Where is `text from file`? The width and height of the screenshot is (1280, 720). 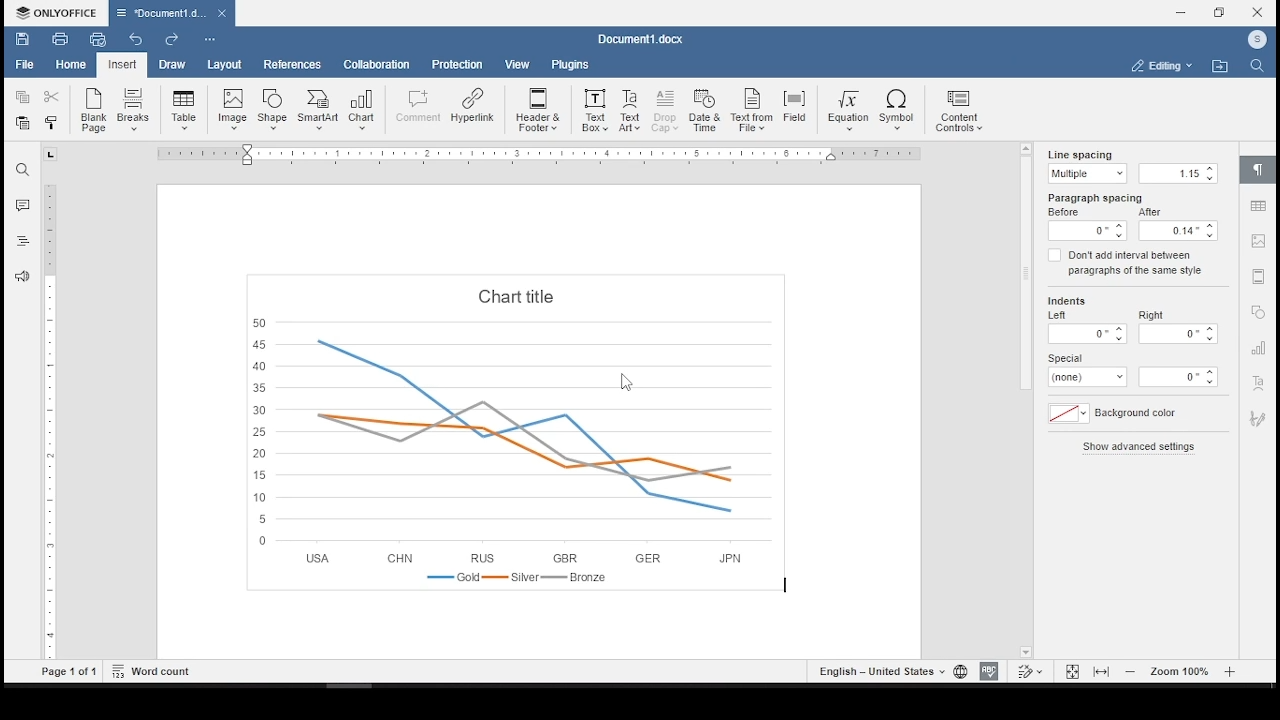 text from file is located at coordinates (751, 111).